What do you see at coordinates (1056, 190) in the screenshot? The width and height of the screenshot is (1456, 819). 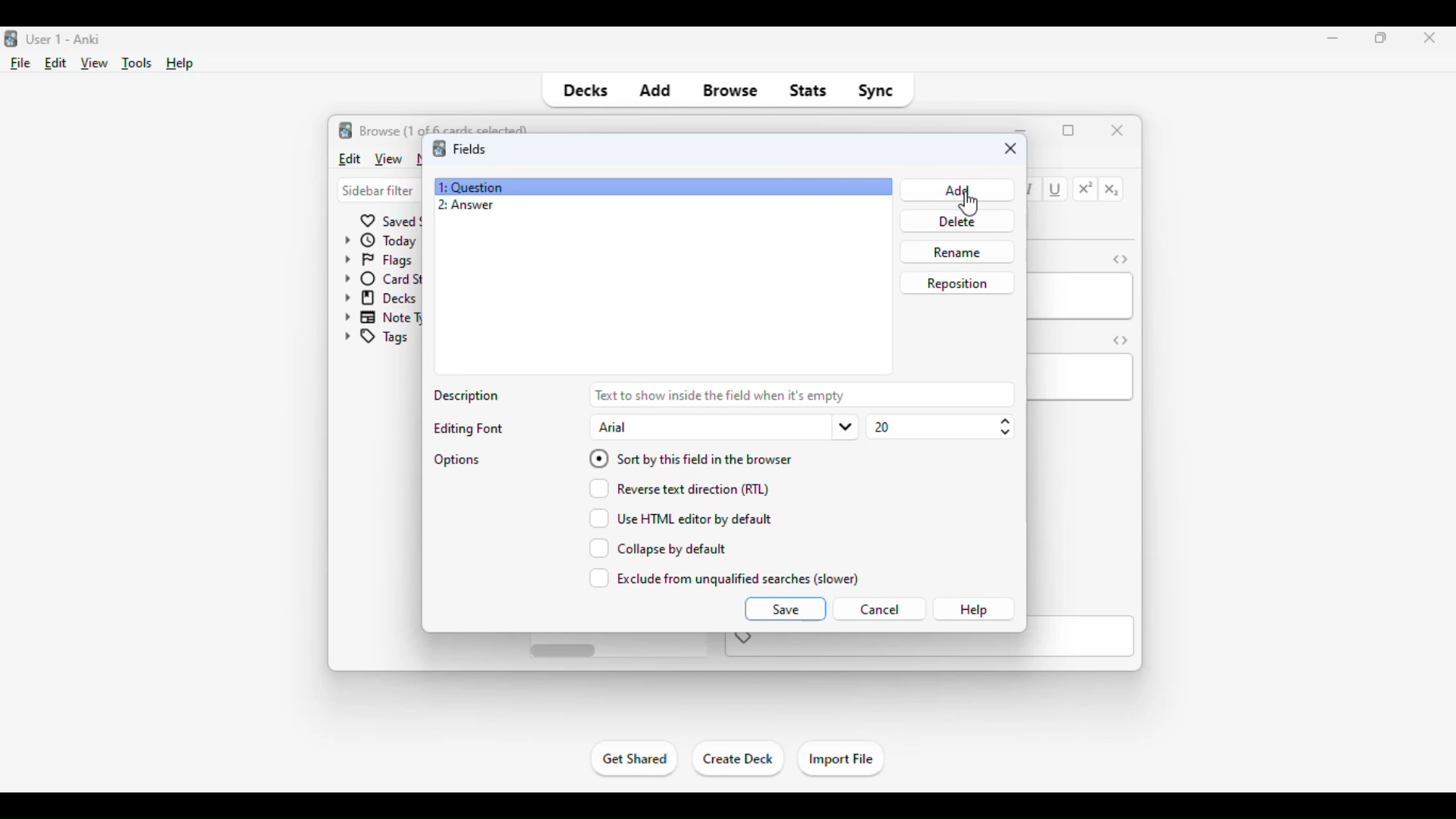 I see `underline` at bounding box center [1056, 190].